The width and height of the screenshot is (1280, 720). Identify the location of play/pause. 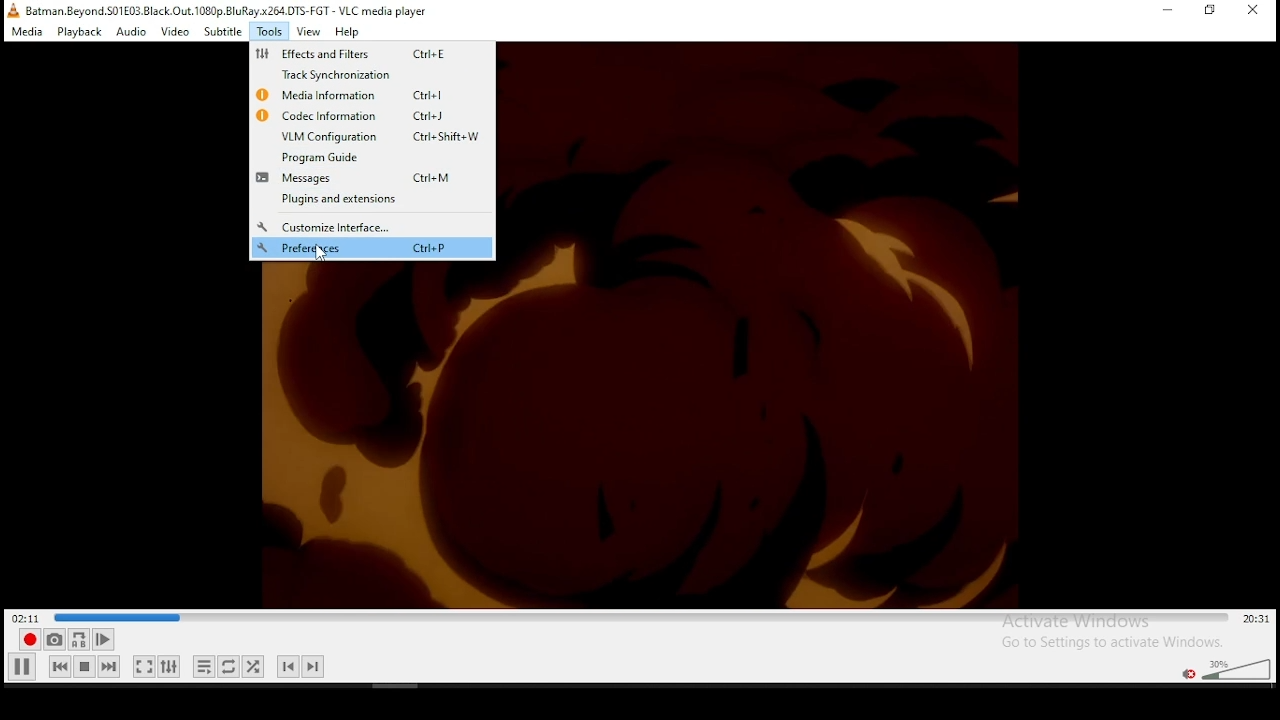
(21, 667).